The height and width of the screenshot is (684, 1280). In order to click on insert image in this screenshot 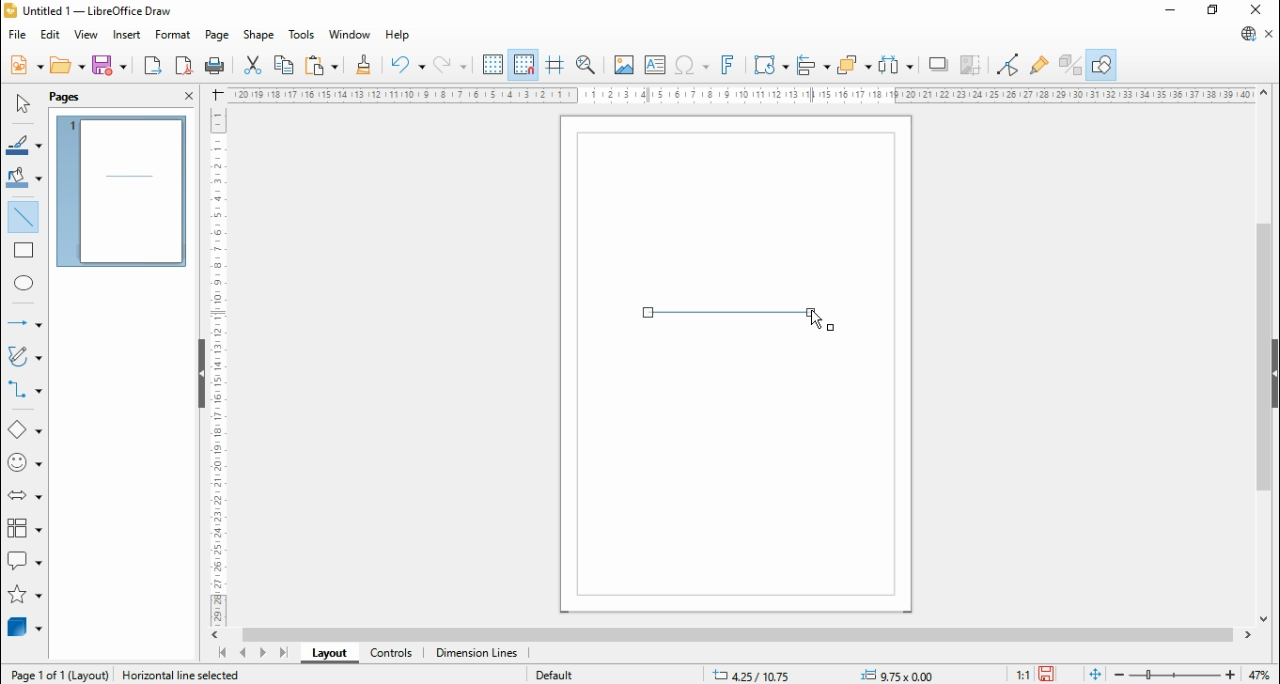, I will do `click(623, 64)`.